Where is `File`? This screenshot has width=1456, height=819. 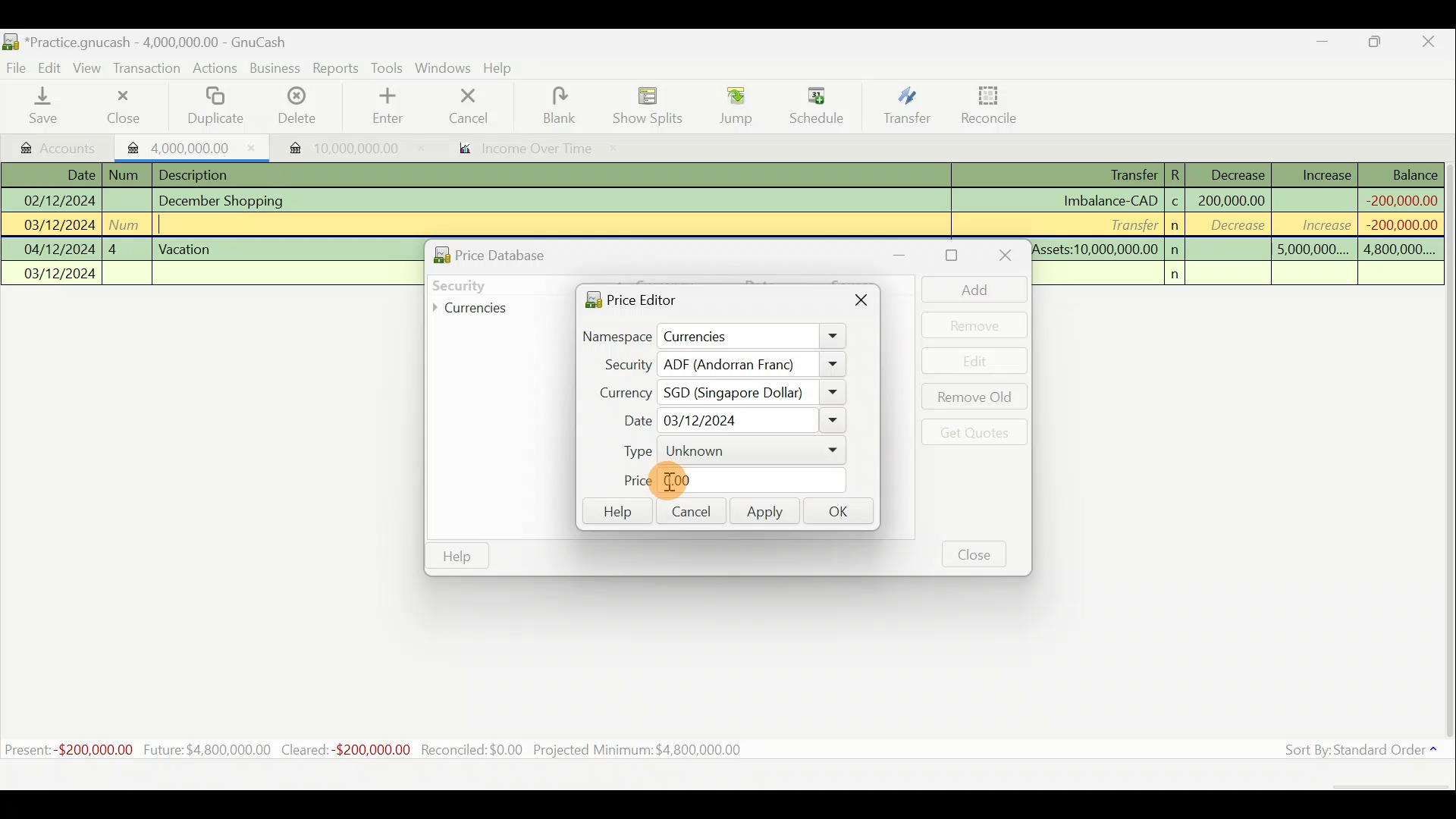
File is located at coordinates (17, 65).